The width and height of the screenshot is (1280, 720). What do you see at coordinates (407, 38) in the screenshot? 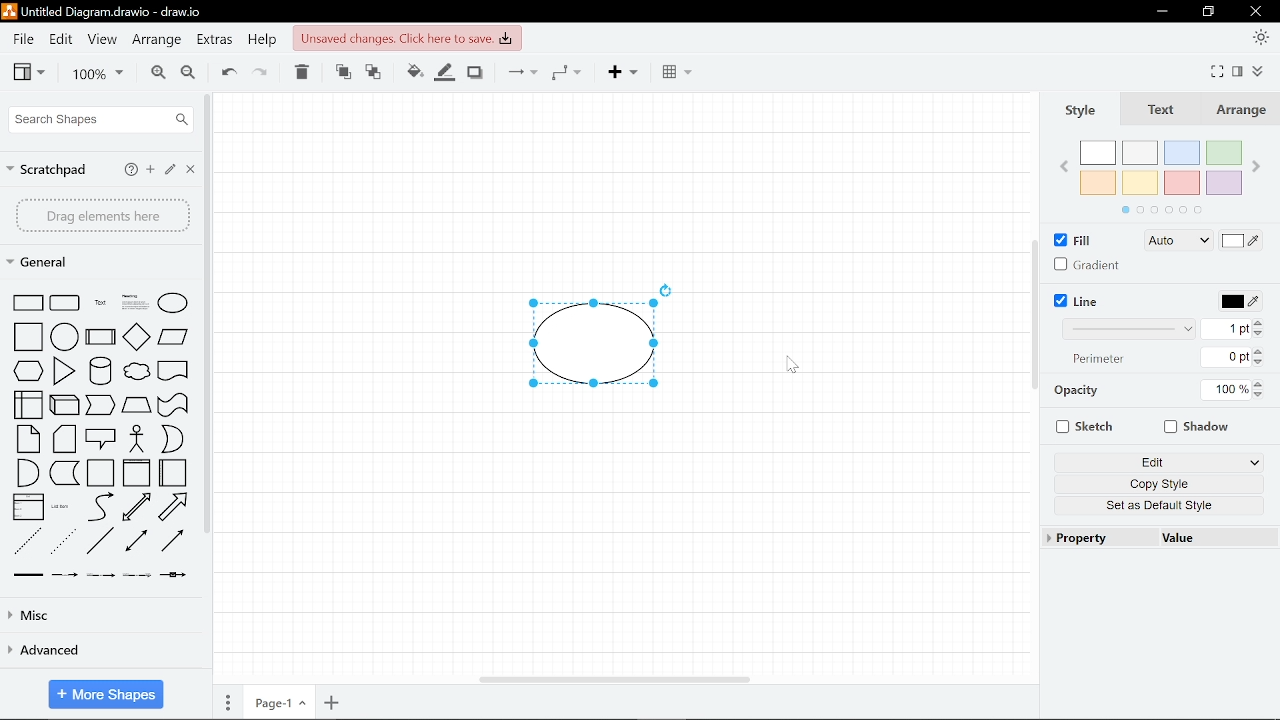
I see `unsaved changes click here to save` at bounding box center [407, 38].